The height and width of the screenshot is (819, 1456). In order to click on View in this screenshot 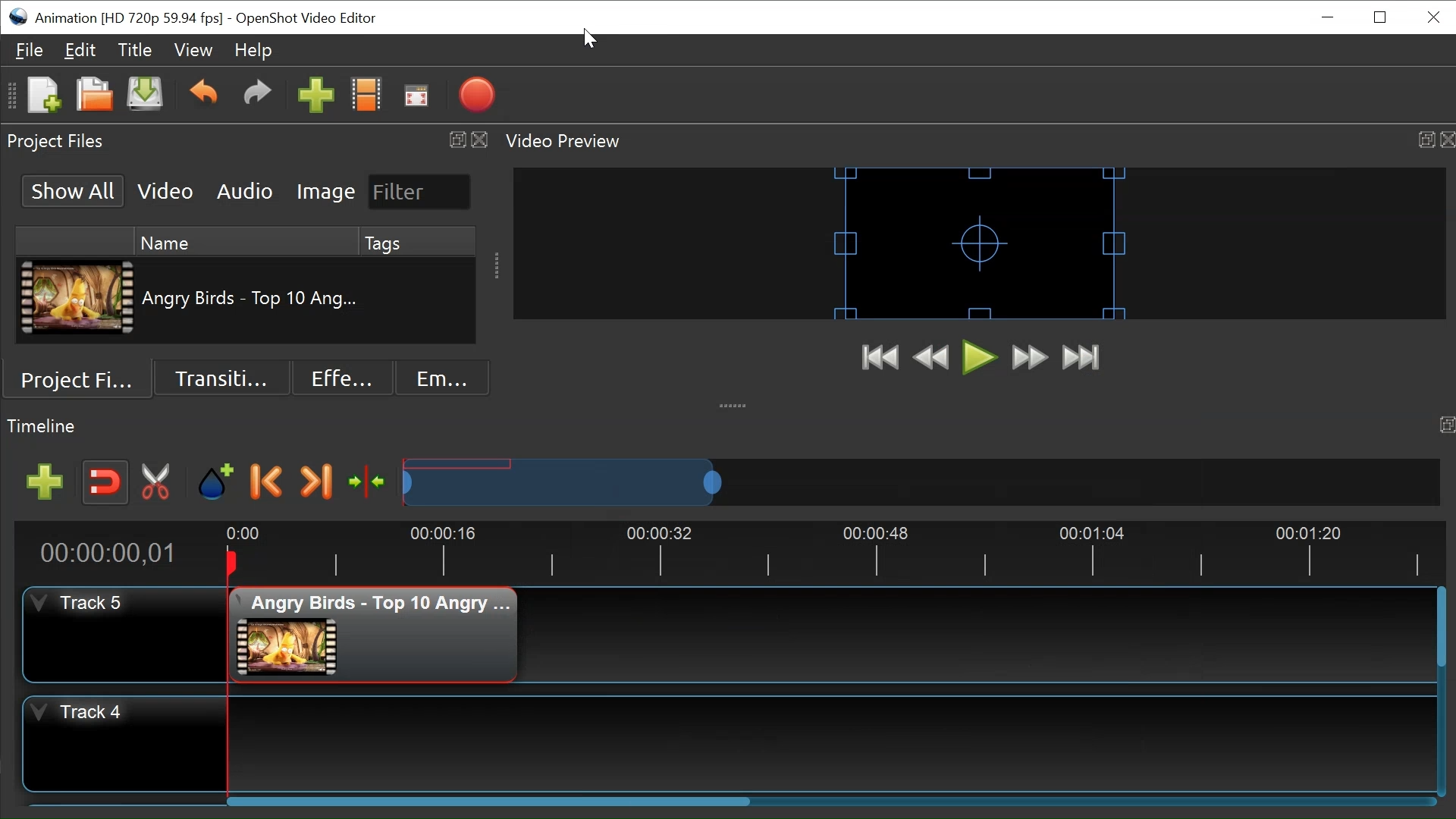, I will do `click(194, 52)`.